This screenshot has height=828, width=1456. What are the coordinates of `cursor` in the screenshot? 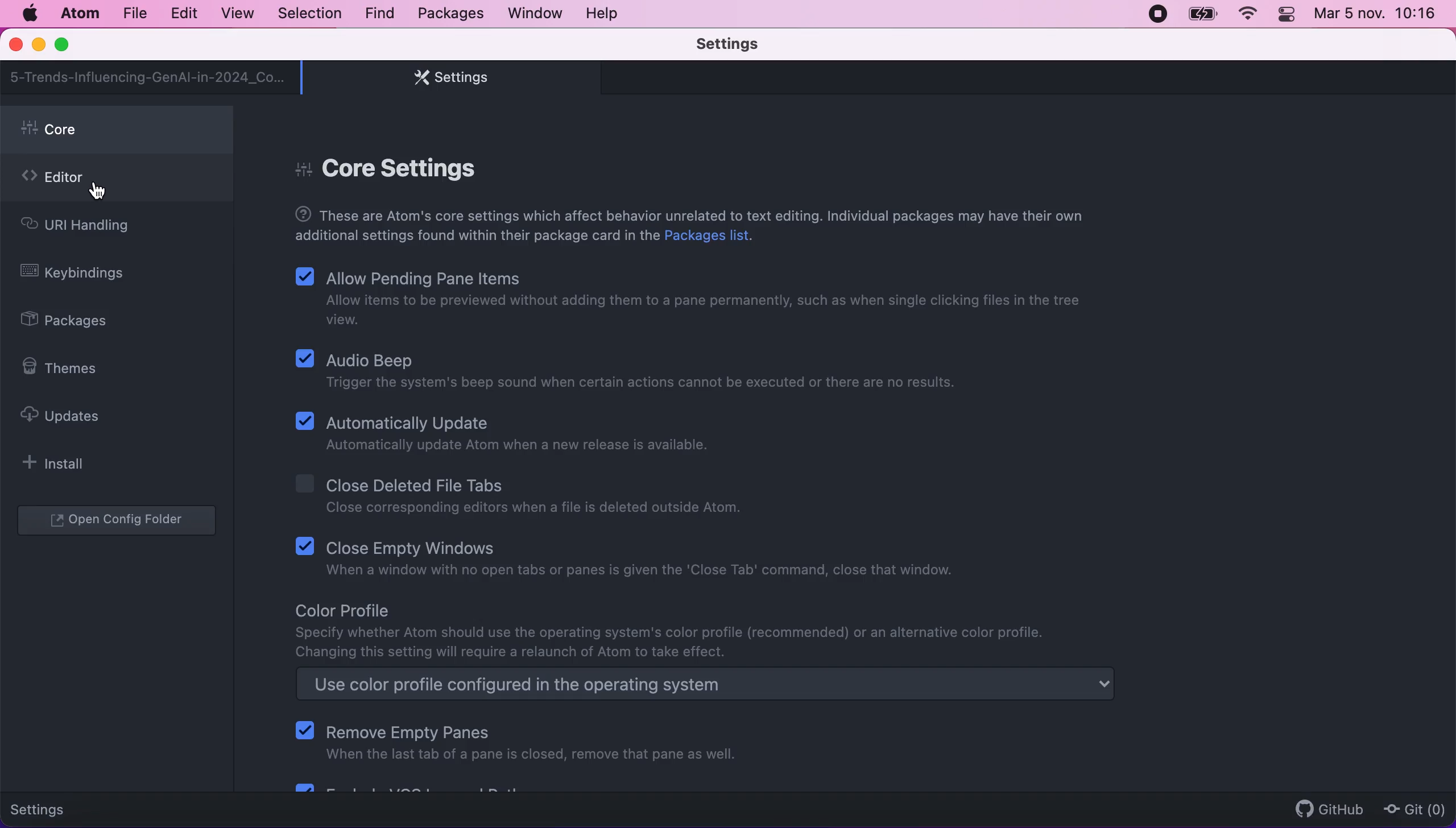 It's located at (100, 189).